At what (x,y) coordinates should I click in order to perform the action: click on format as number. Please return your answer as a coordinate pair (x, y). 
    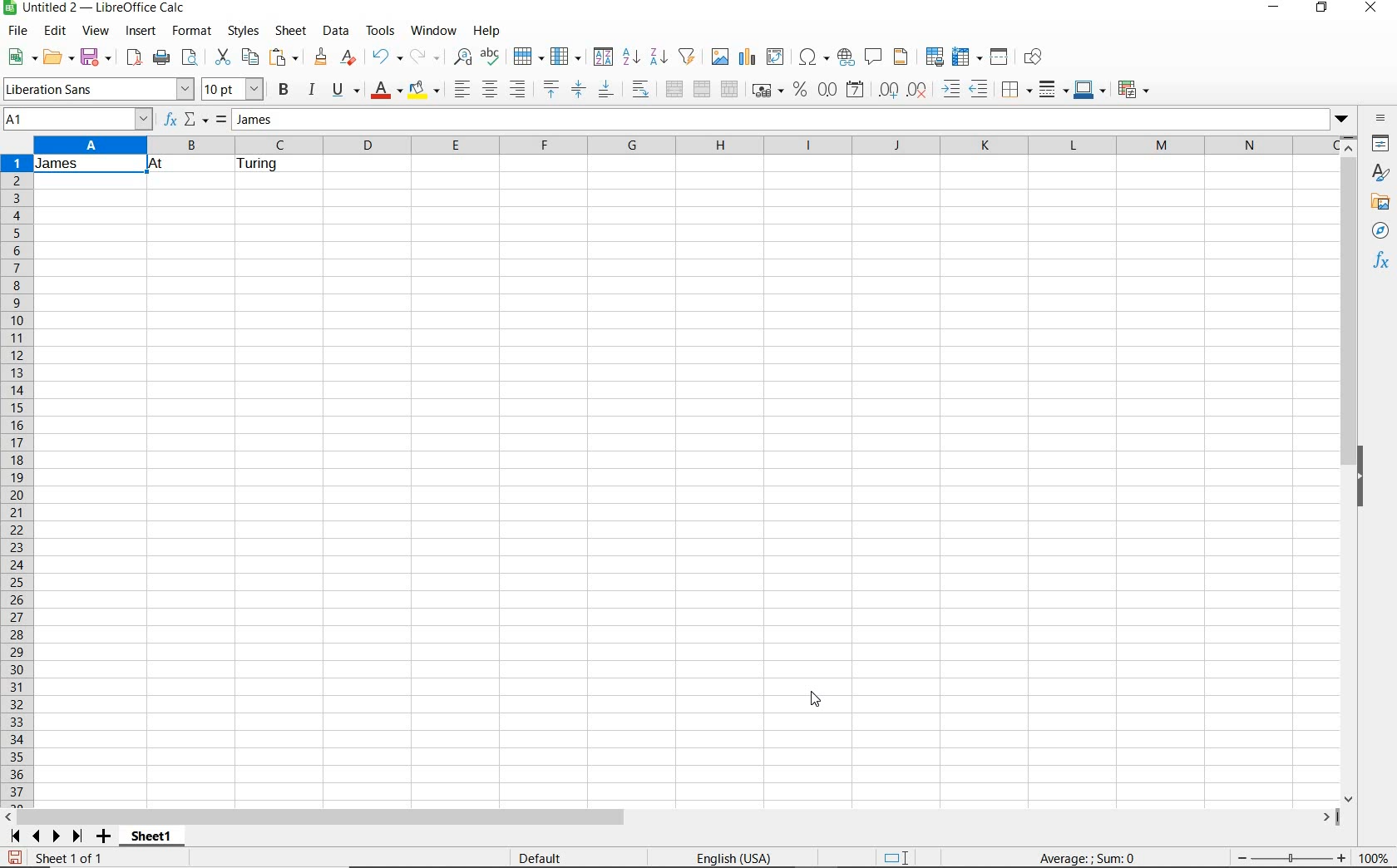
    Looking at the image, I should click on (827, 90).